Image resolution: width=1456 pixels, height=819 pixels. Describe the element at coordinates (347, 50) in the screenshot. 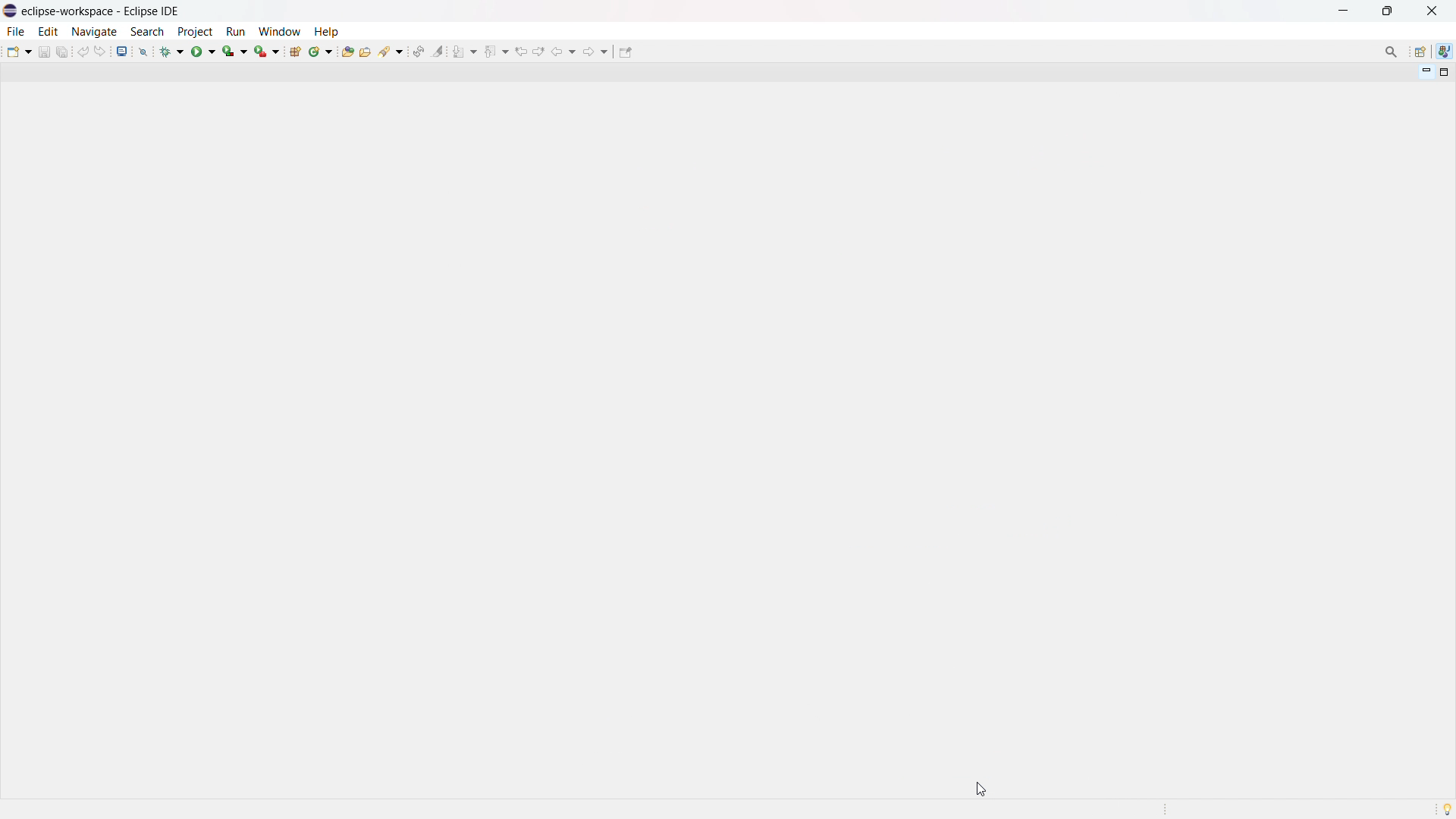

I see `open type` at that location.